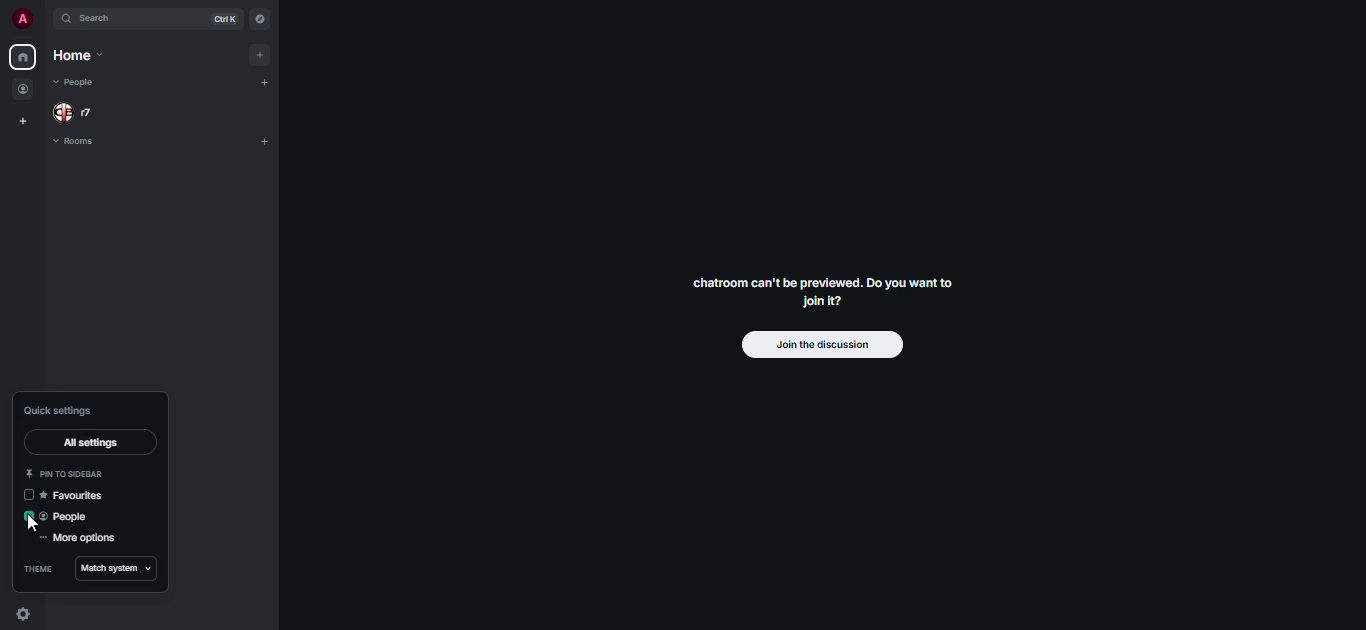  I want to click on people, so click(80, 112).